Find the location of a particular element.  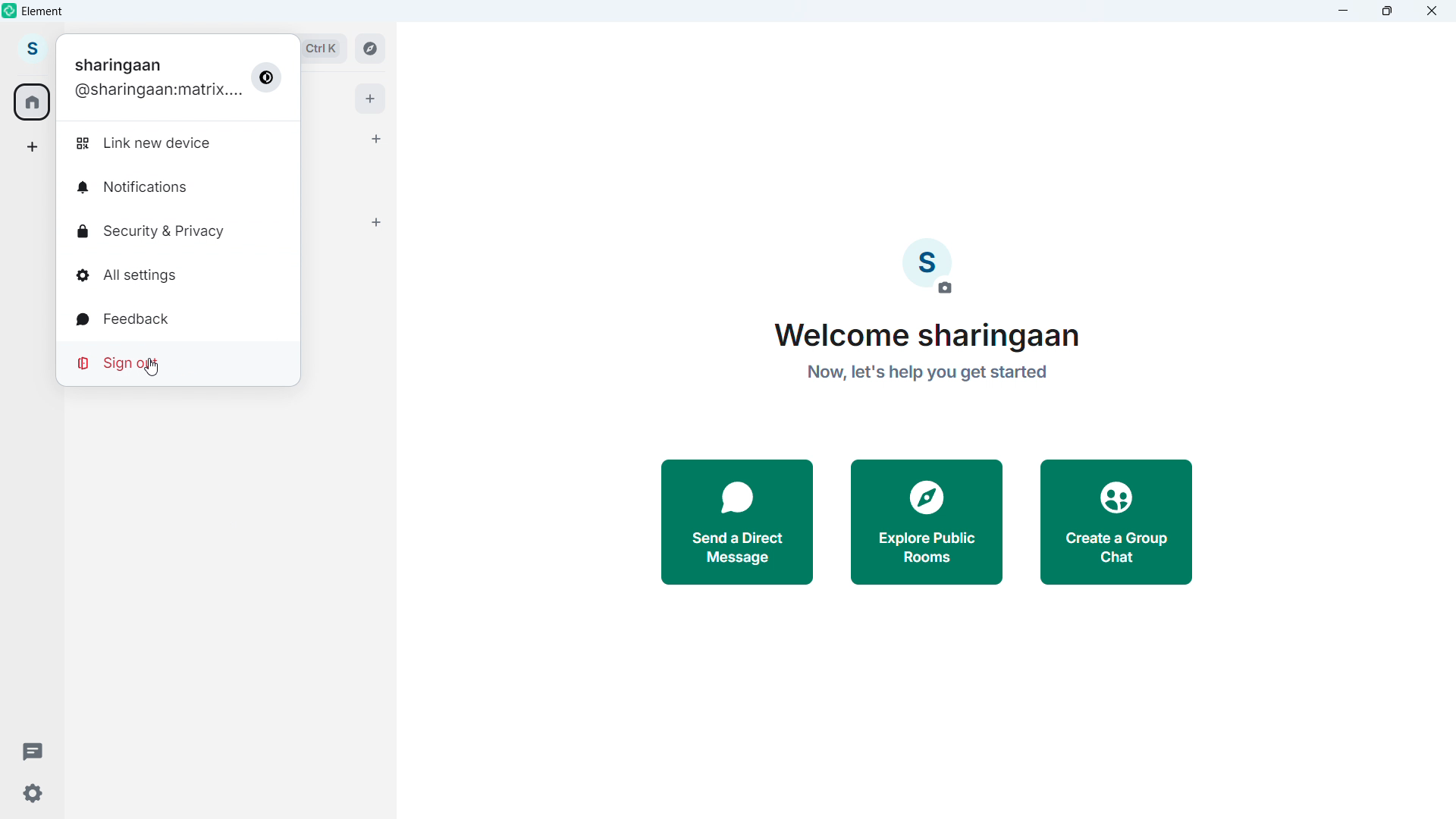

Feedback  is located at coordinates (123, 318).